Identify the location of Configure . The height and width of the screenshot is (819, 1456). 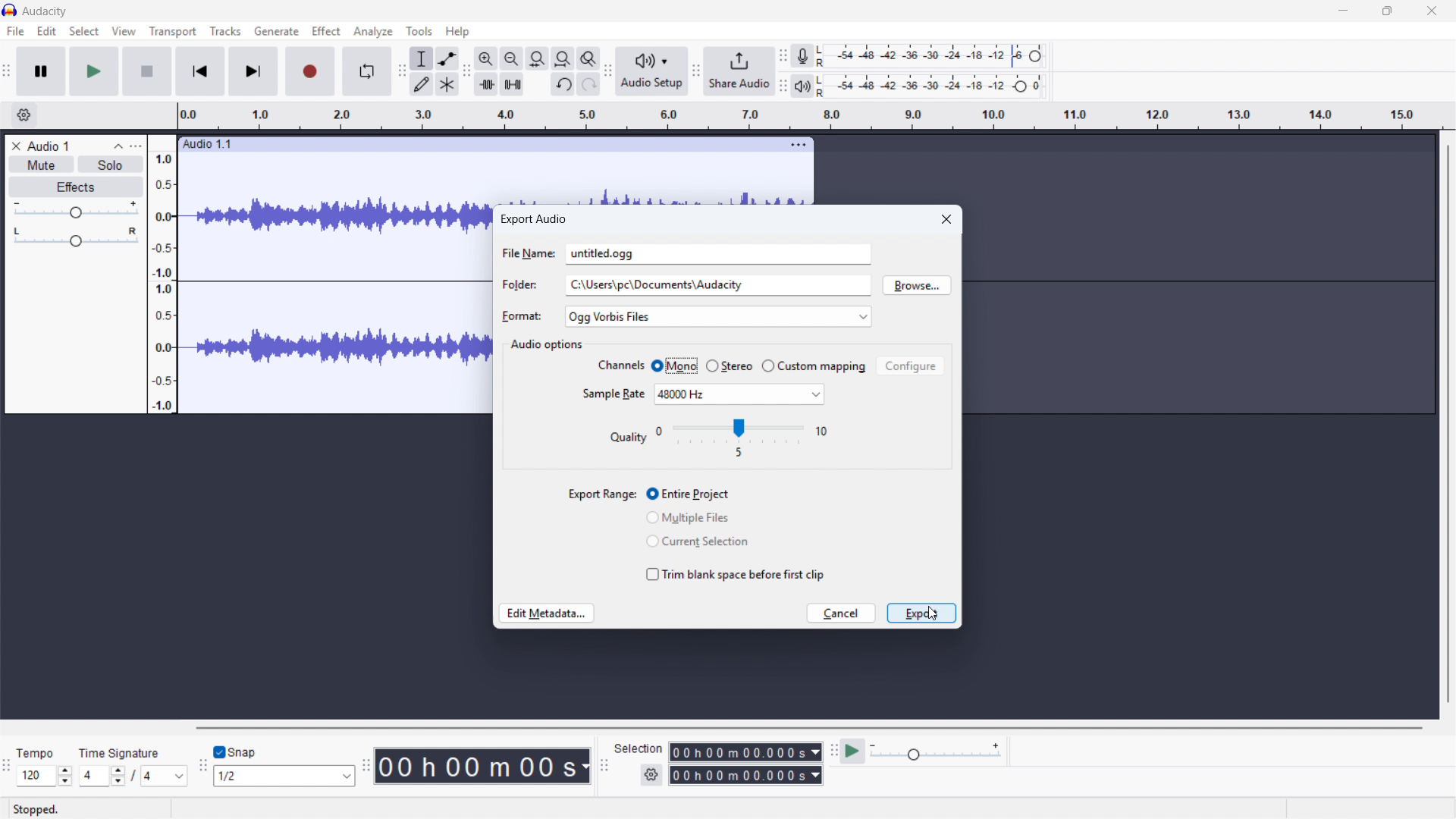
(911, 366).